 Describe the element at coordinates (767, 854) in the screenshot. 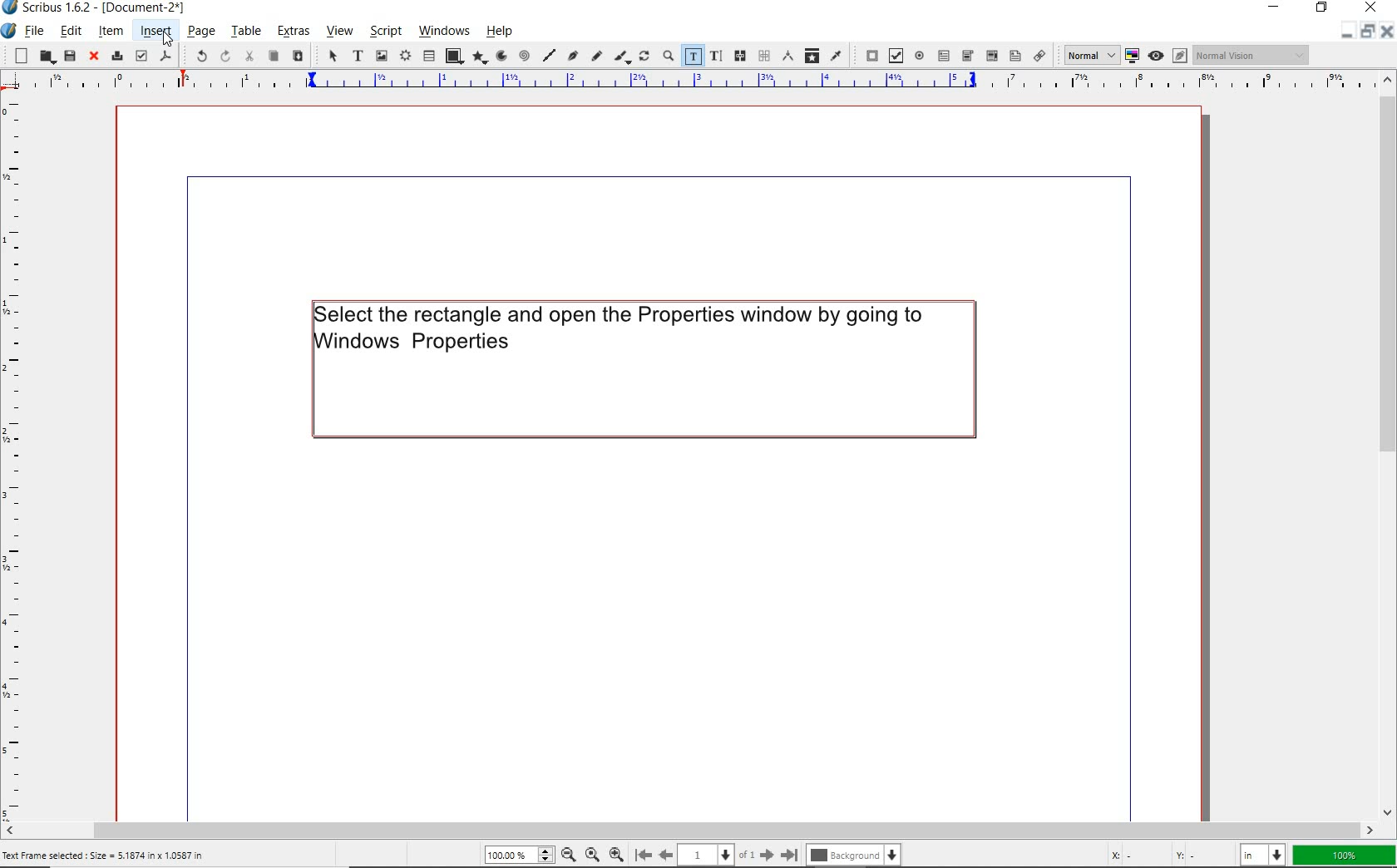

I see `go to next page` at that location.